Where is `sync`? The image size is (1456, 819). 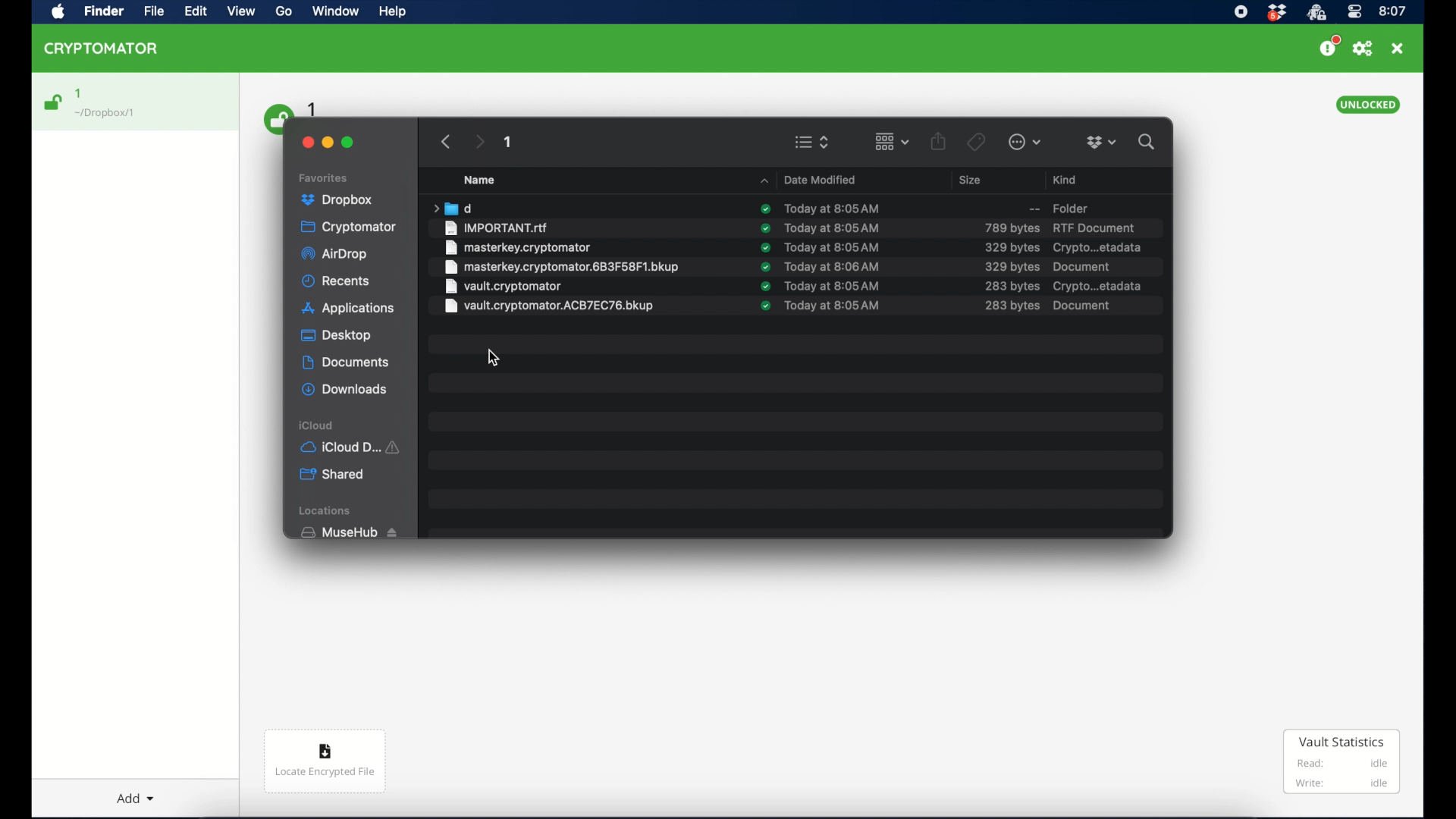 sync is located at coordinates (765, 286).